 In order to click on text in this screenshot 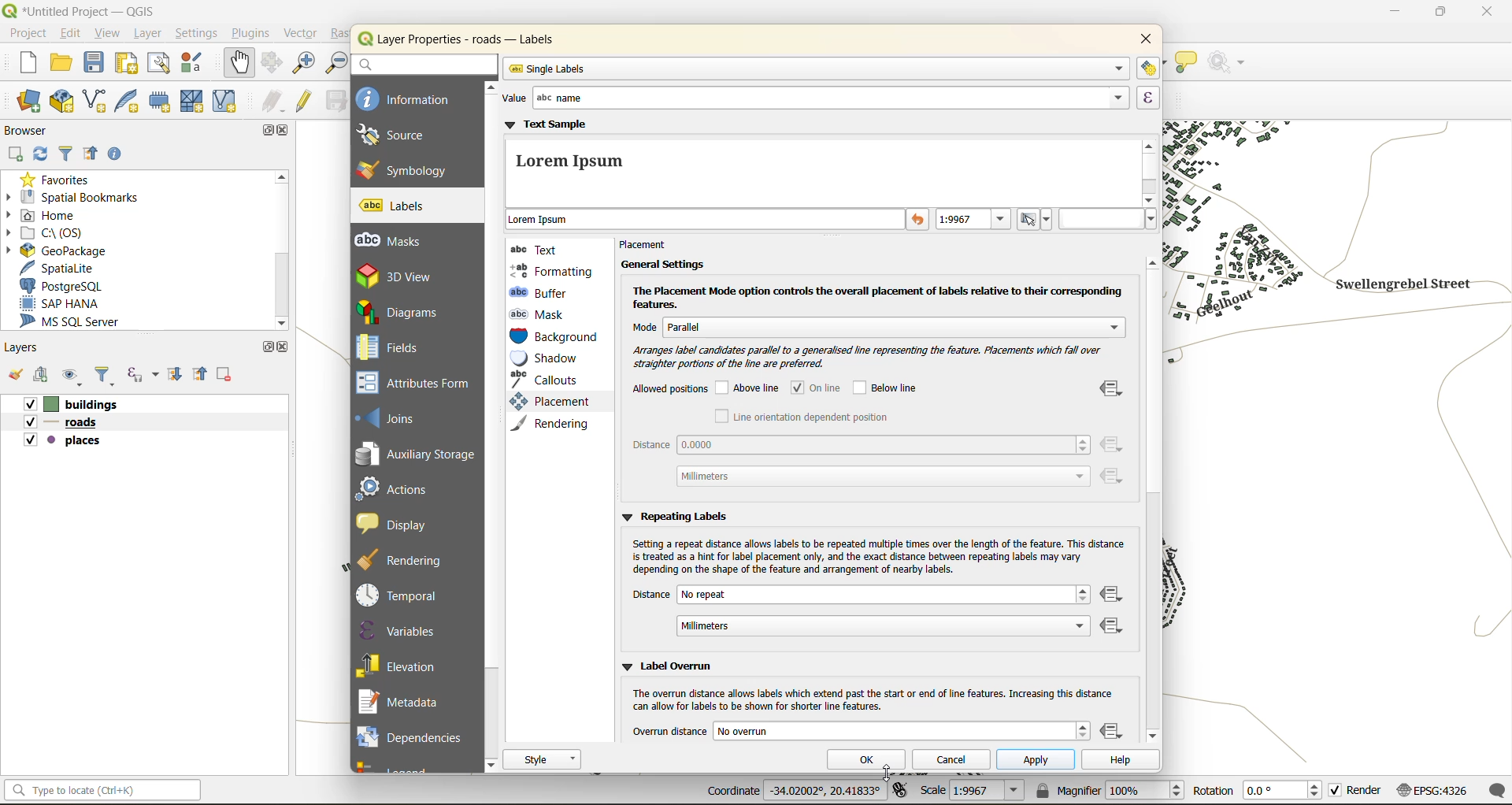, I will do `click(538, 249)`.